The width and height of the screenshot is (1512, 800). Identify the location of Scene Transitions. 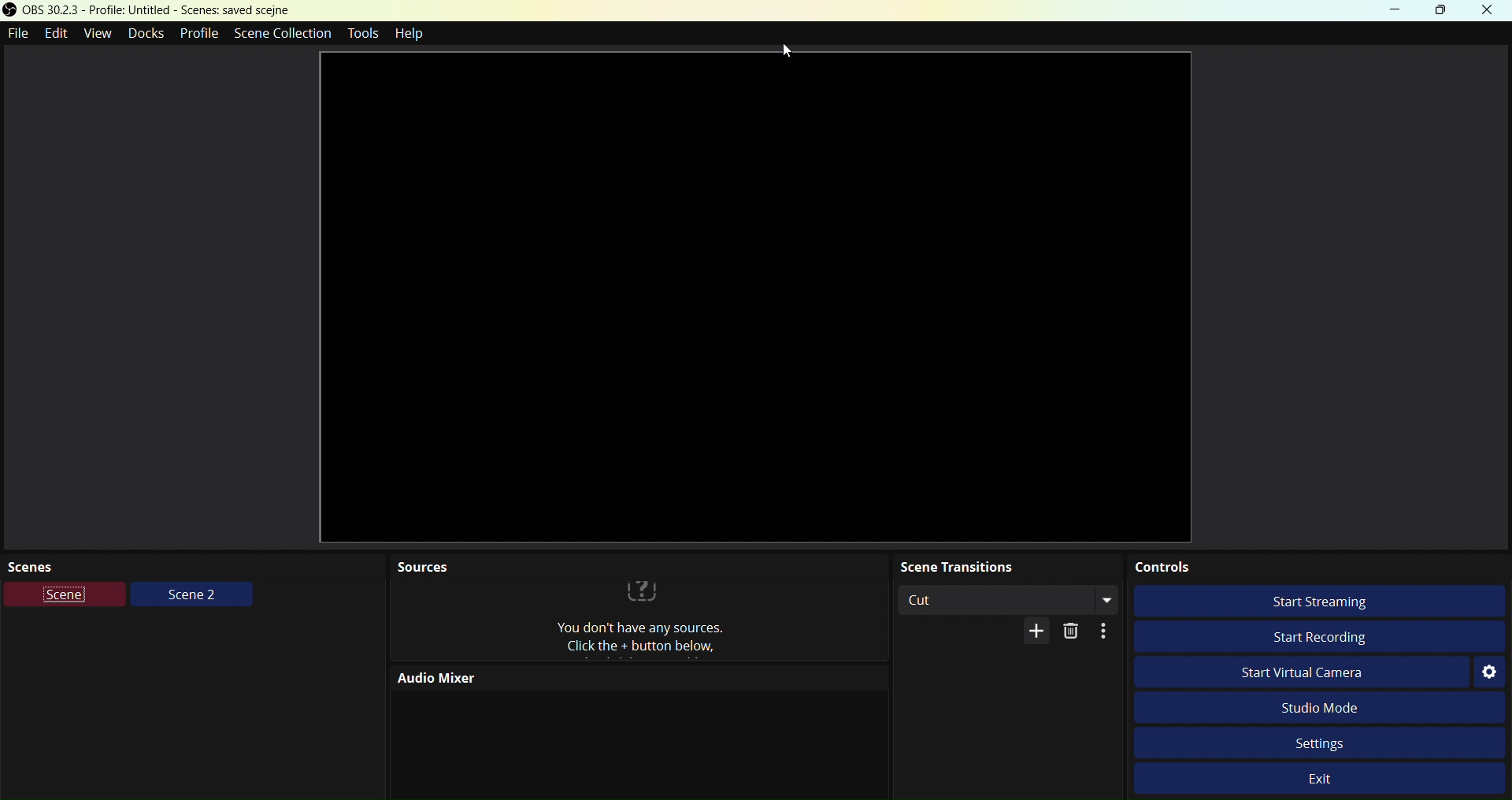
(1003, 565).